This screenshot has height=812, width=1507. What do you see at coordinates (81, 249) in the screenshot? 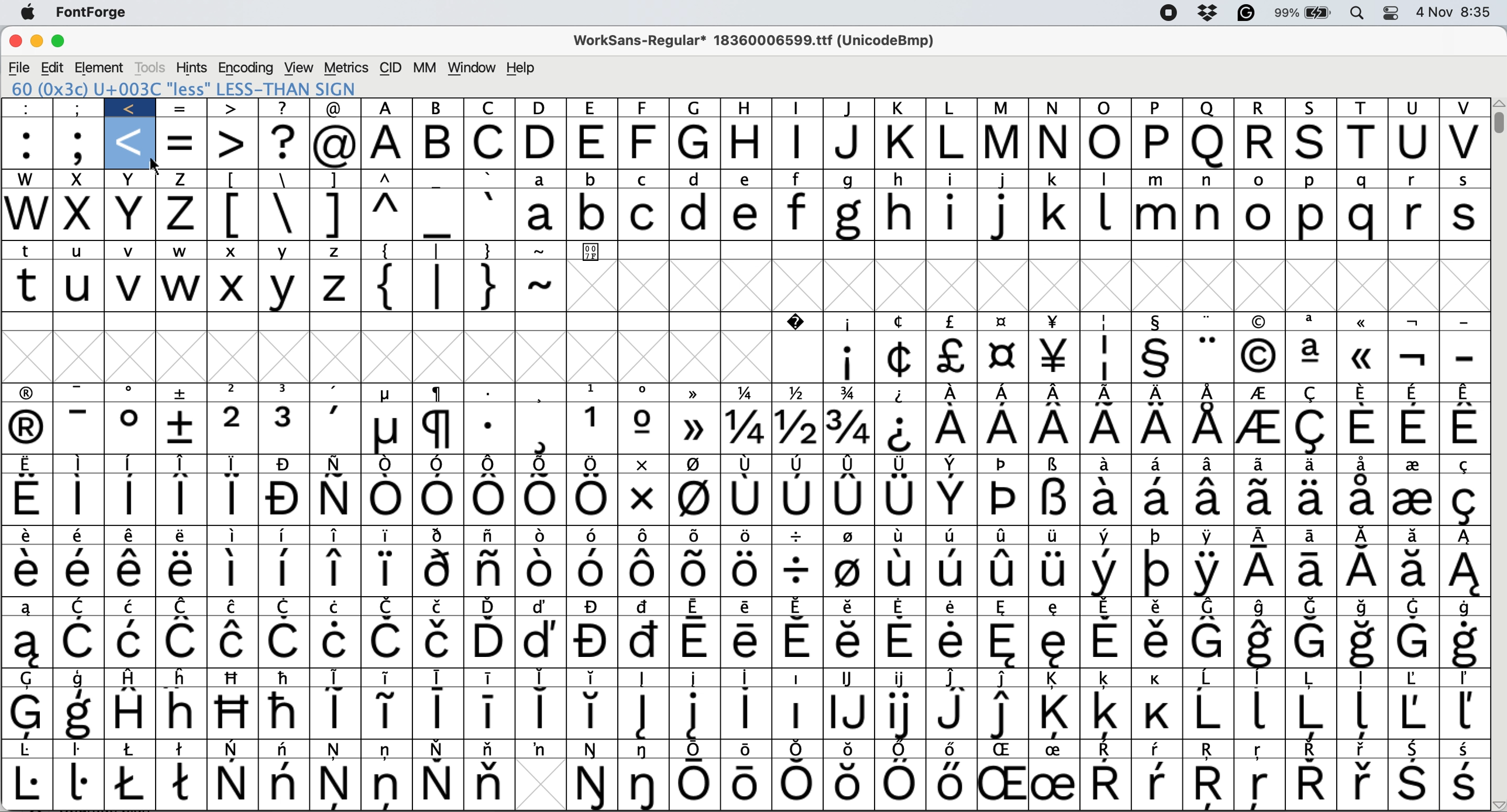
I see `u` at bounding box center [81, 249].